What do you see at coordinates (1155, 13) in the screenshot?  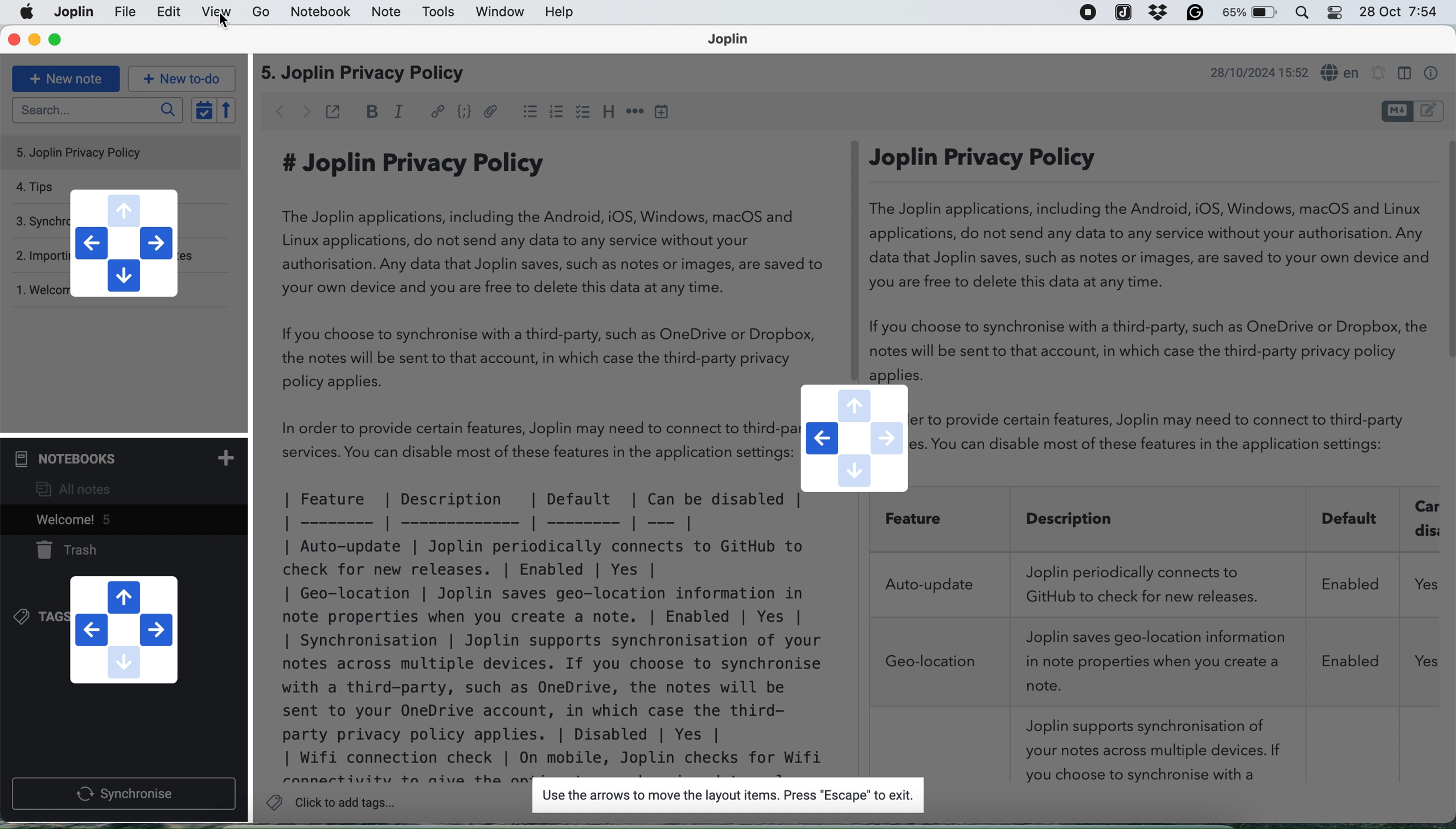 I see `dropbox` at bounding box center [1155, 13].